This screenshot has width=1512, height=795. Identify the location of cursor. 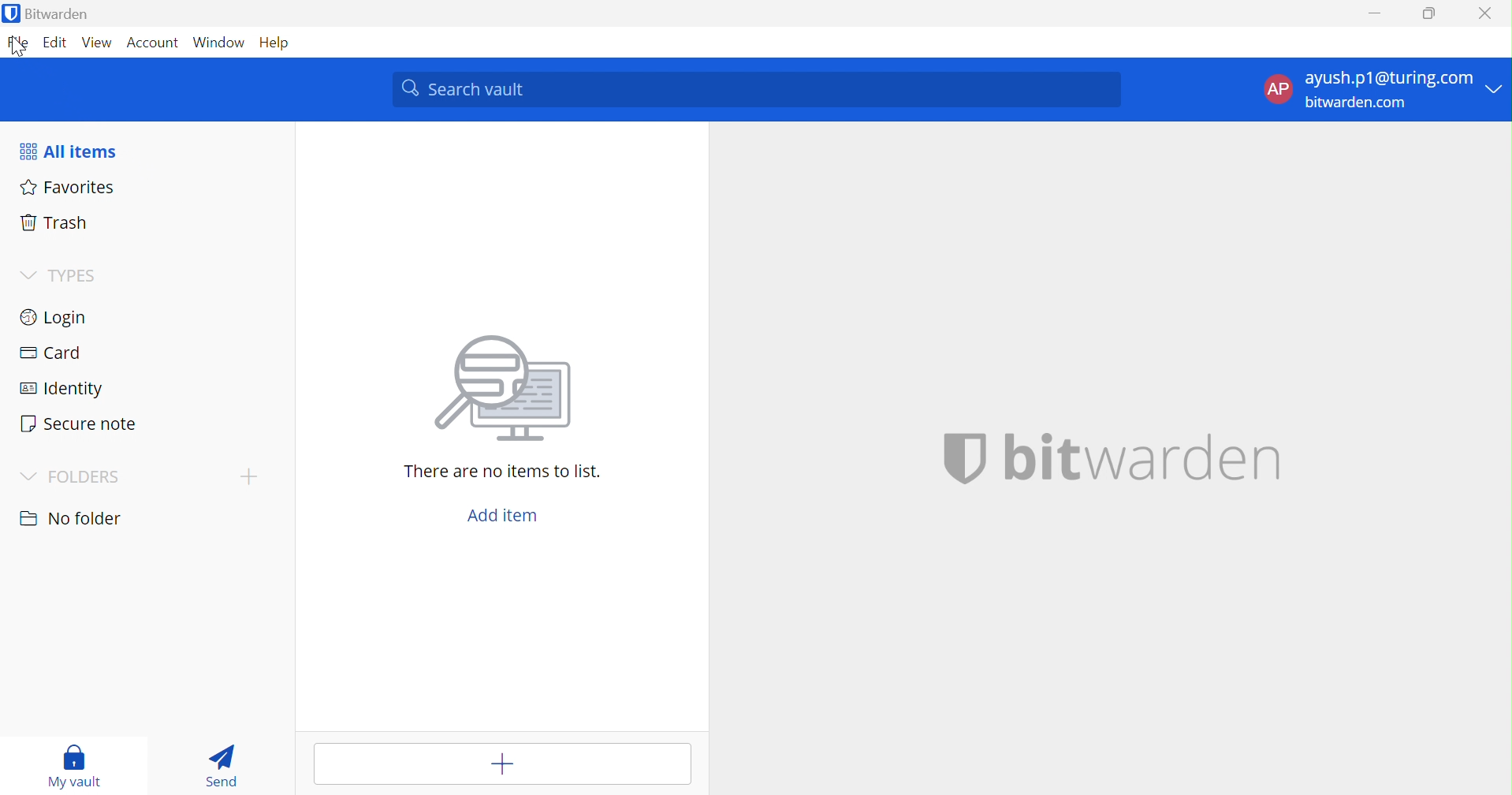
(20, 50).